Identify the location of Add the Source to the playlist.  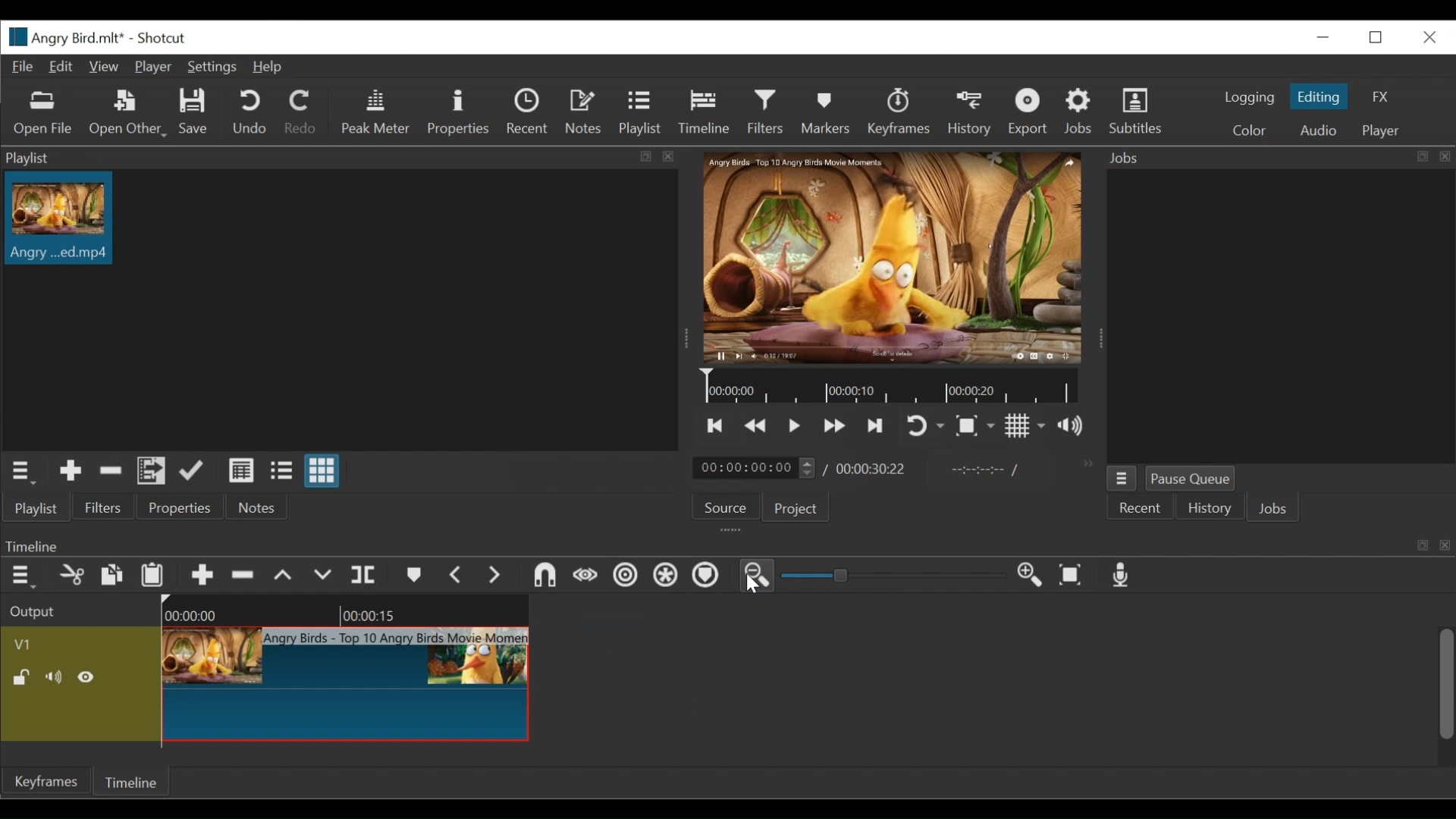
(71, 470).